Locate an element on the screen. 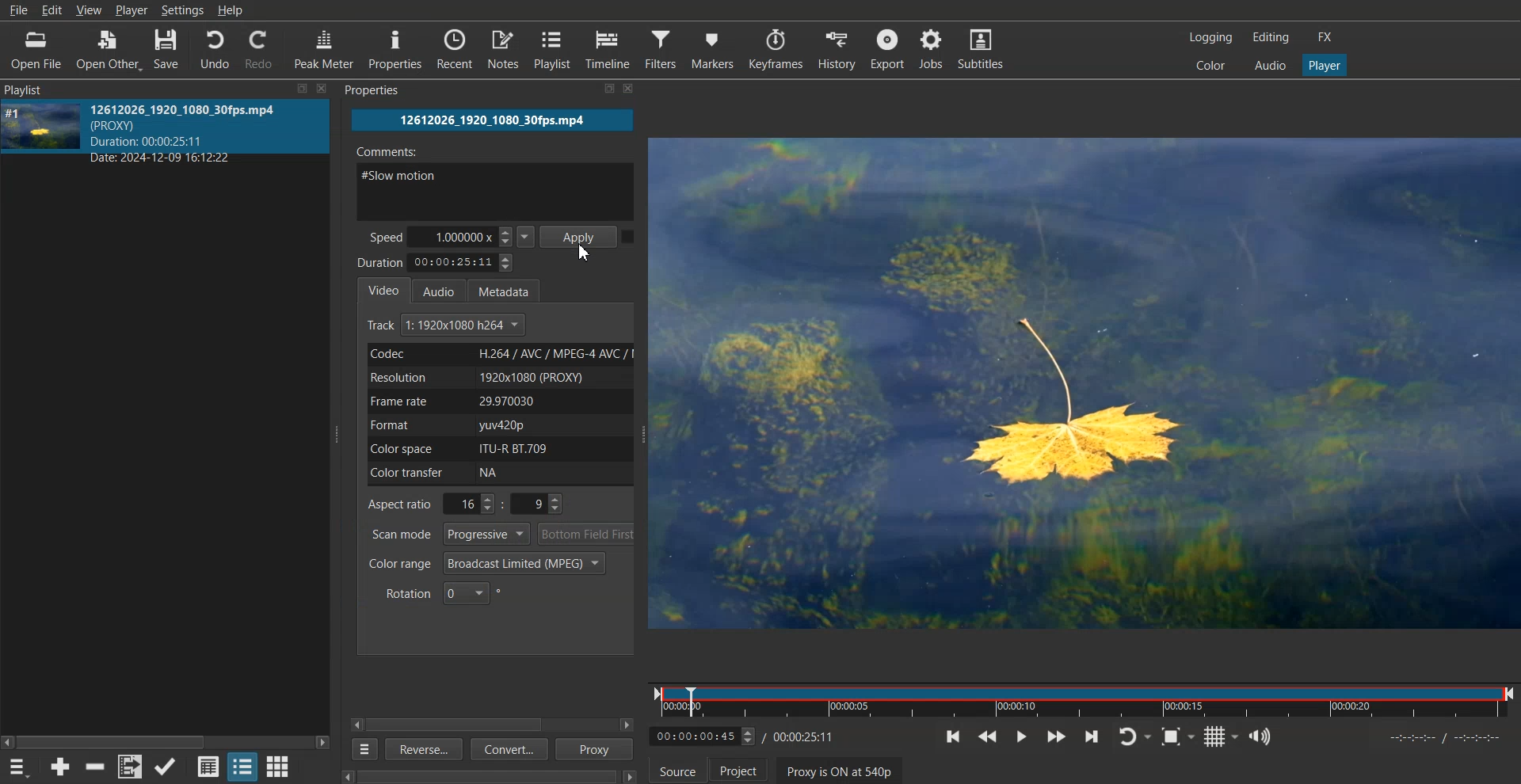 The image size is (1521, 784). Play Forward is located at coordinates (1056, 736).